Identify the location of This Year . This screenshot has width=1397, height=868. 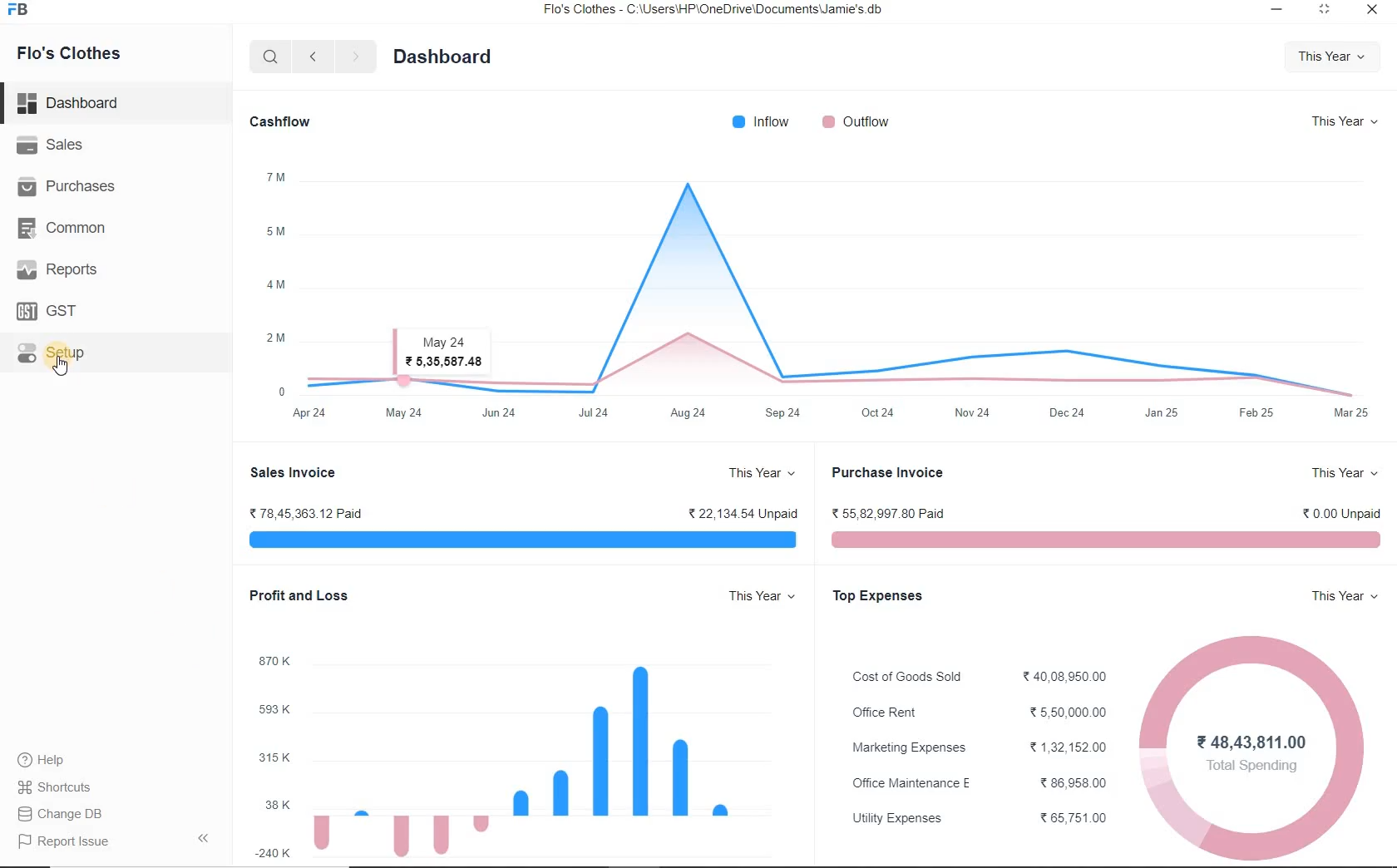
(763, 474).